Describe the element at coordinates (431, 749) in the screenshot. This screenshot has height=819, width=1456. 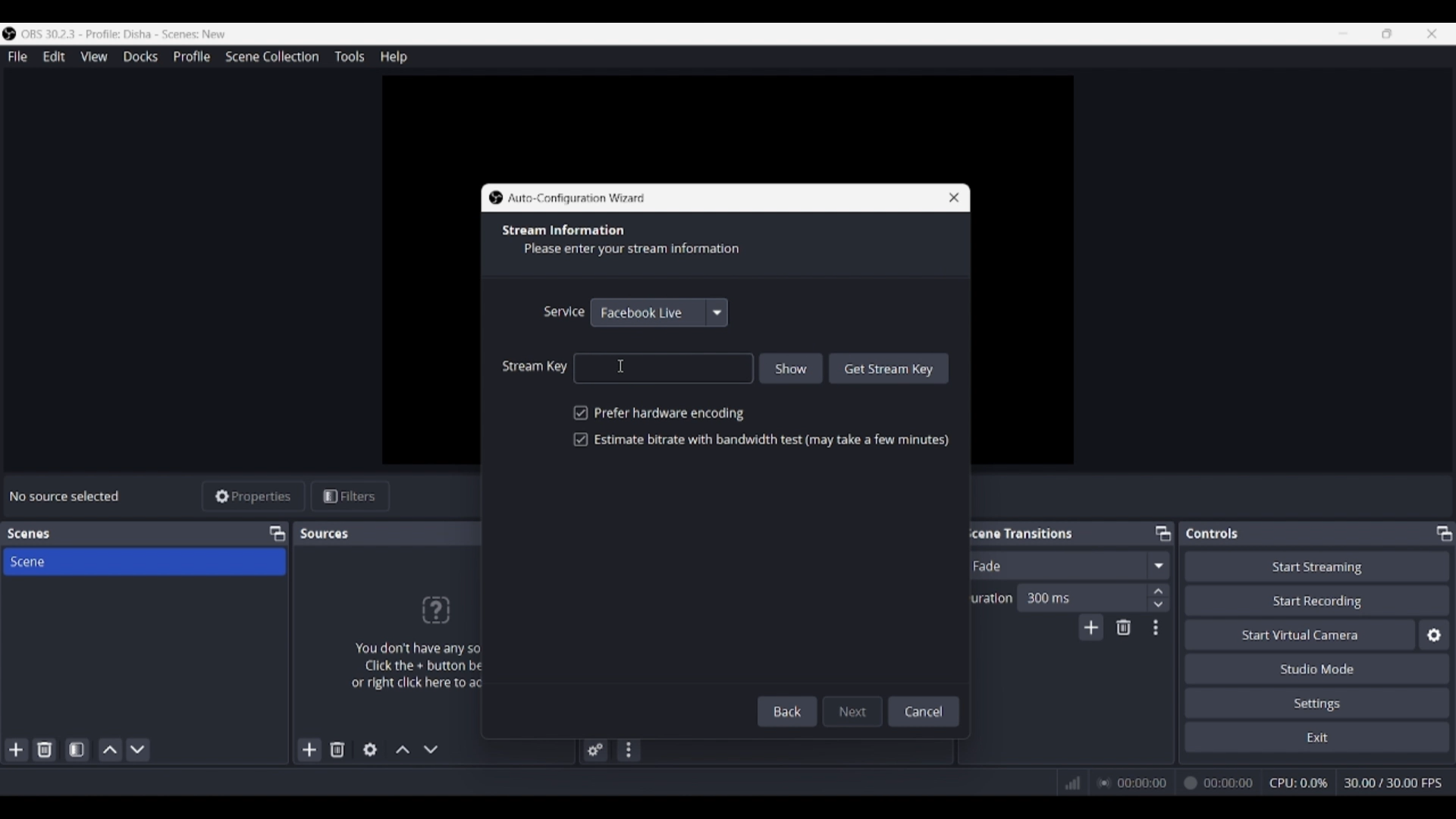
I see `Move source down` at that location.